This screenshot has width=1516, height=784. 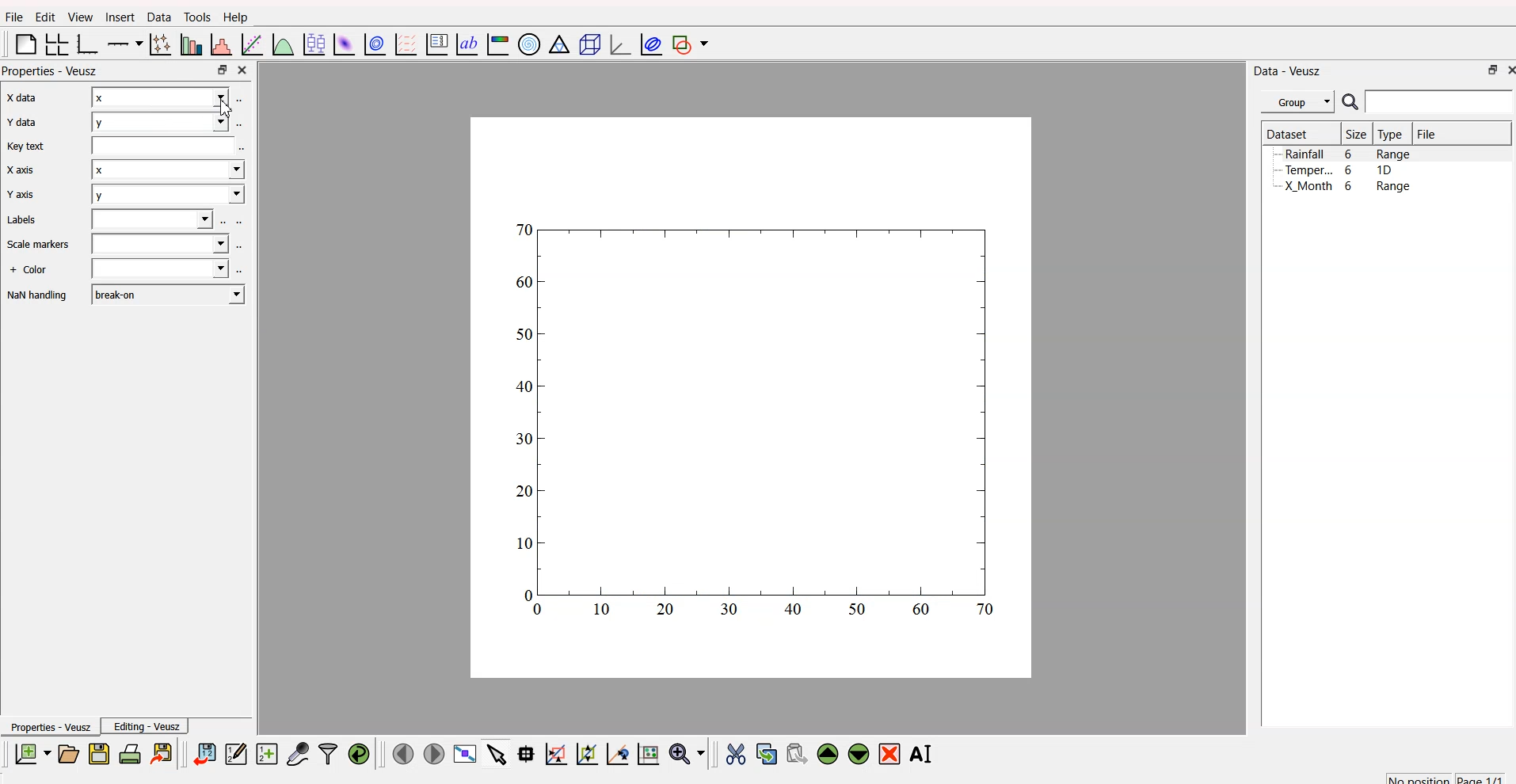 What do you see at coordinates (1350, 102) in the screenshot?
I see `search icon` at bounding box center [1350, 102].